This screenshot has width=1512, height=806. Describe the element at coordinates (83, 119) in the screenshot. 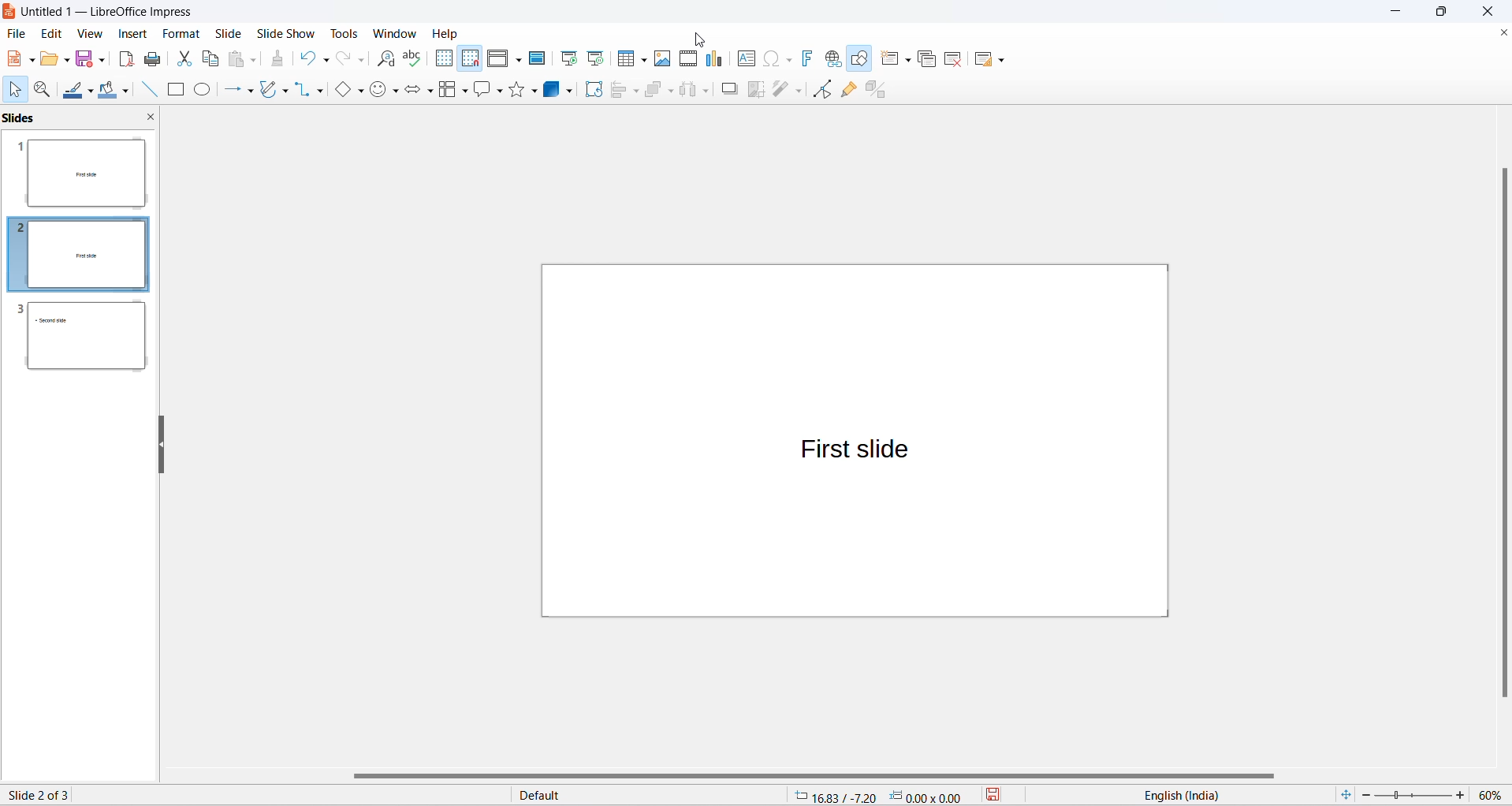

I see `slides and close slide icon` at that location.